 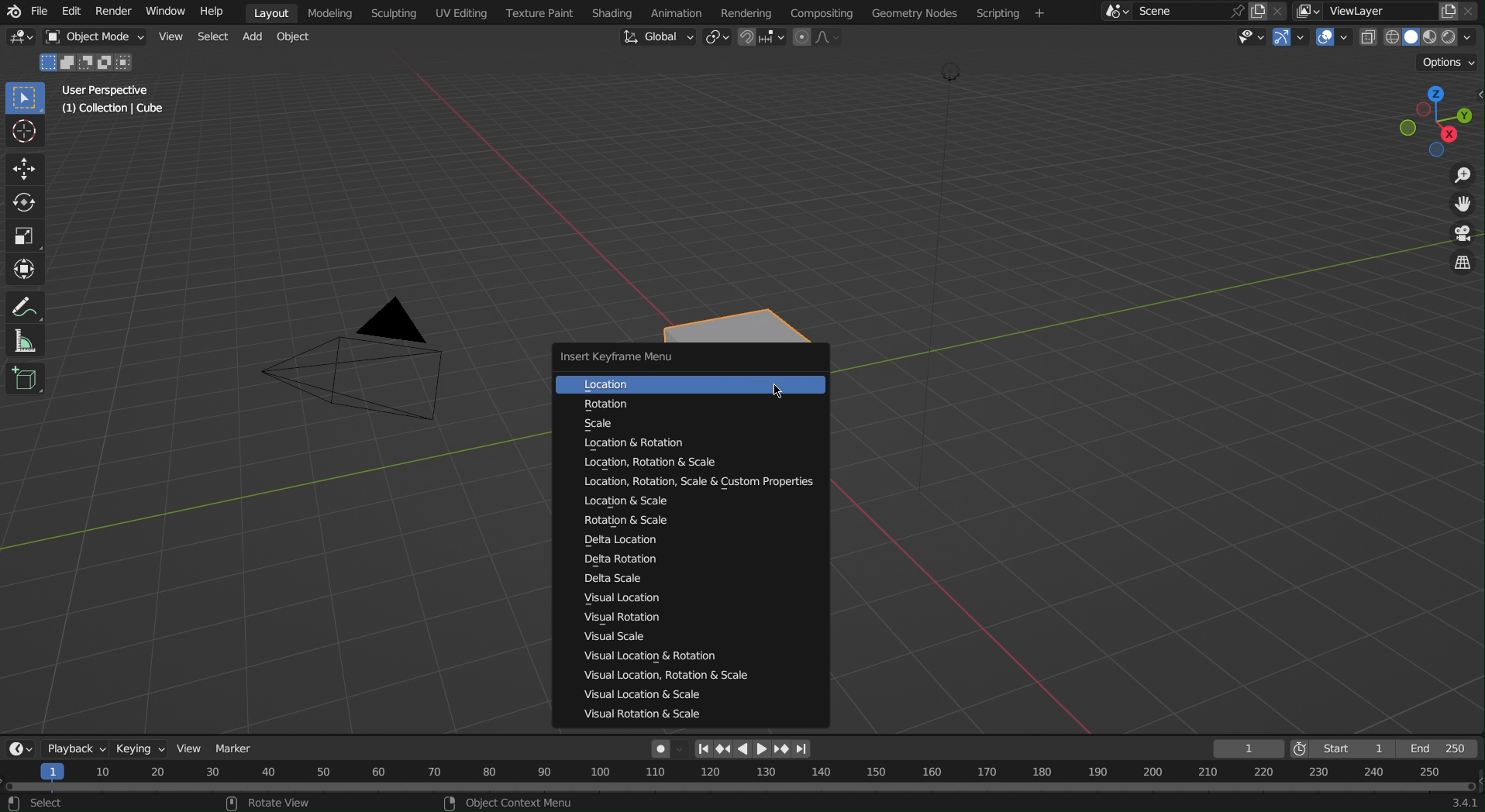 I want to click on Toggle X-Ray, so click(x=1366, y=41).